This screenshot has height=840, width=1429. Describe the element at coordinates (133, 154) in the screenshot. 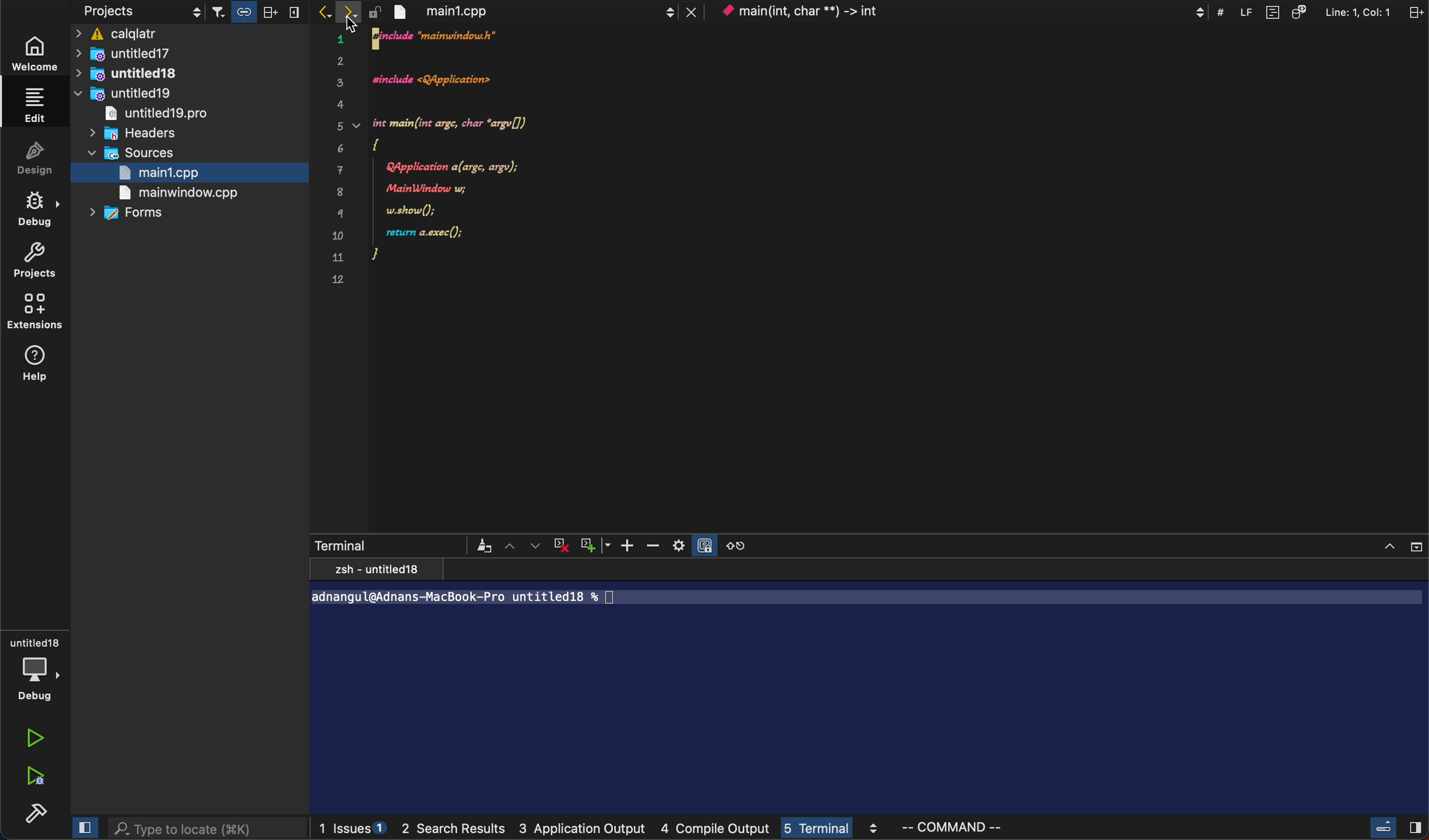

I see `sources` at that location.